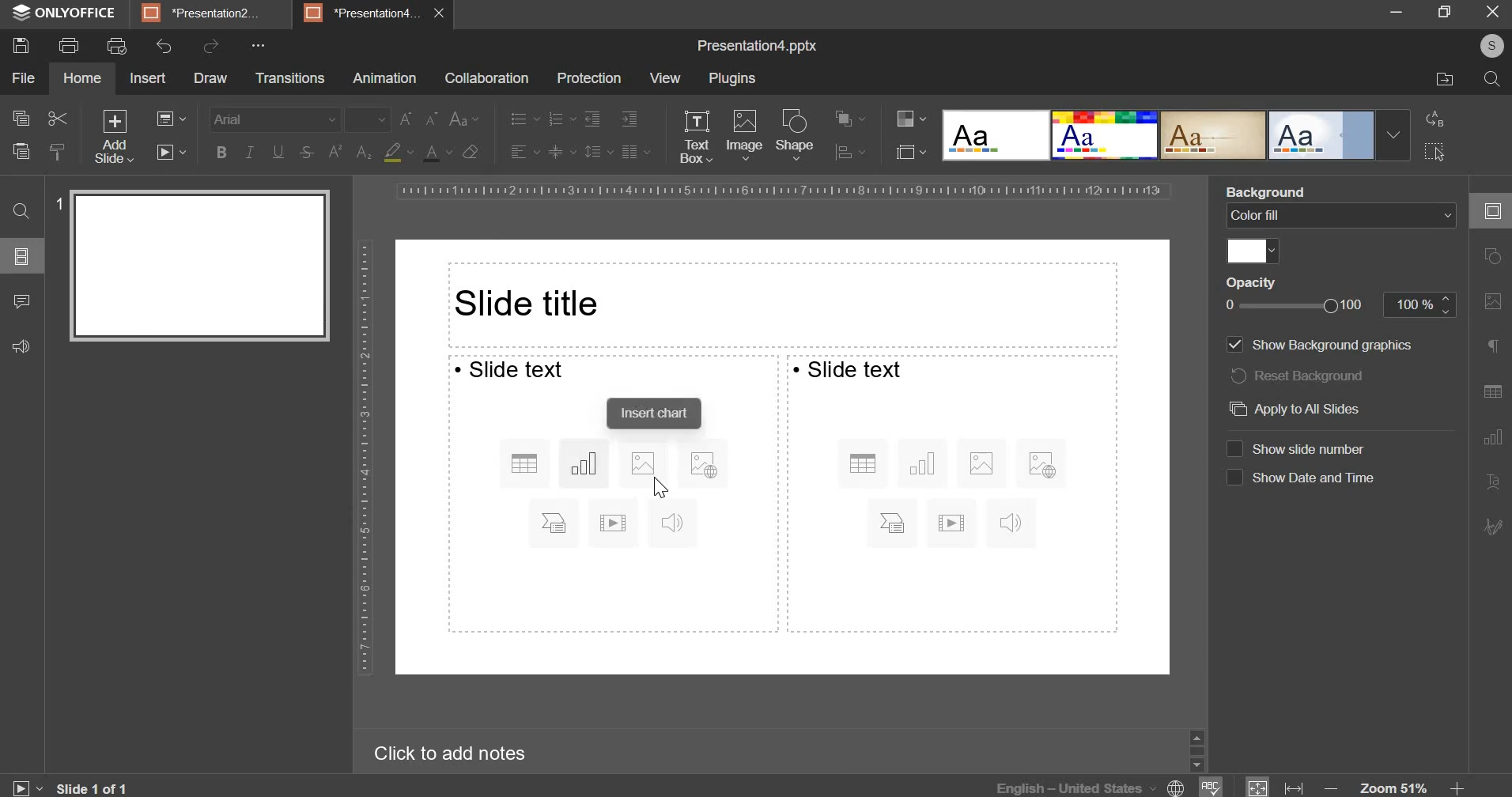 The image size is (1512, 797). Describe the element at coordinates (221, 151) in the screenshot. I see `bold` at that location.